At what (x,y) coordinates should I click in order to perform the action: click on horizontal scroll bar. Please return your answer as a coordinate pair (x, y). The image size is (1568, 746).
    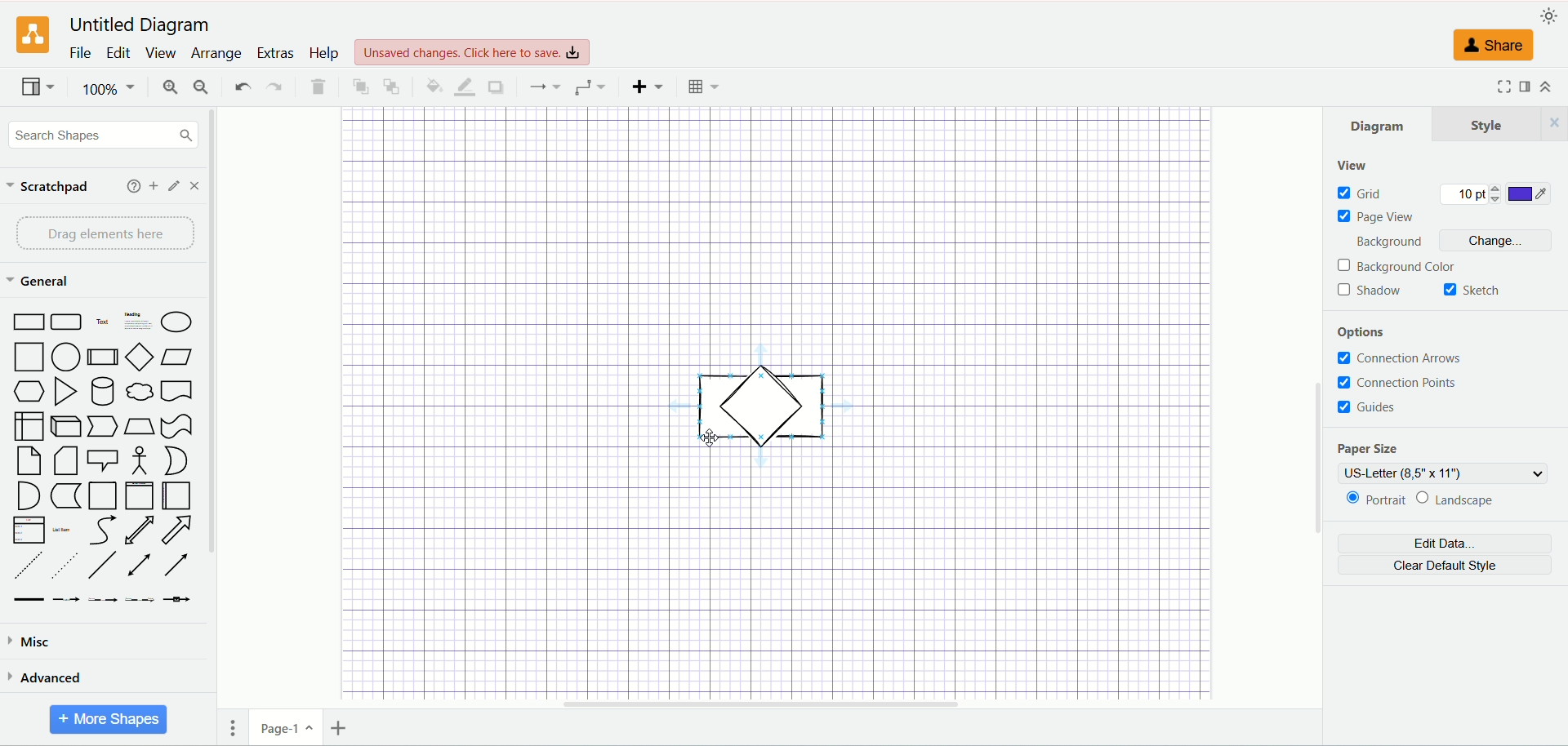
    Looking at the image, I should click on (827, 704).